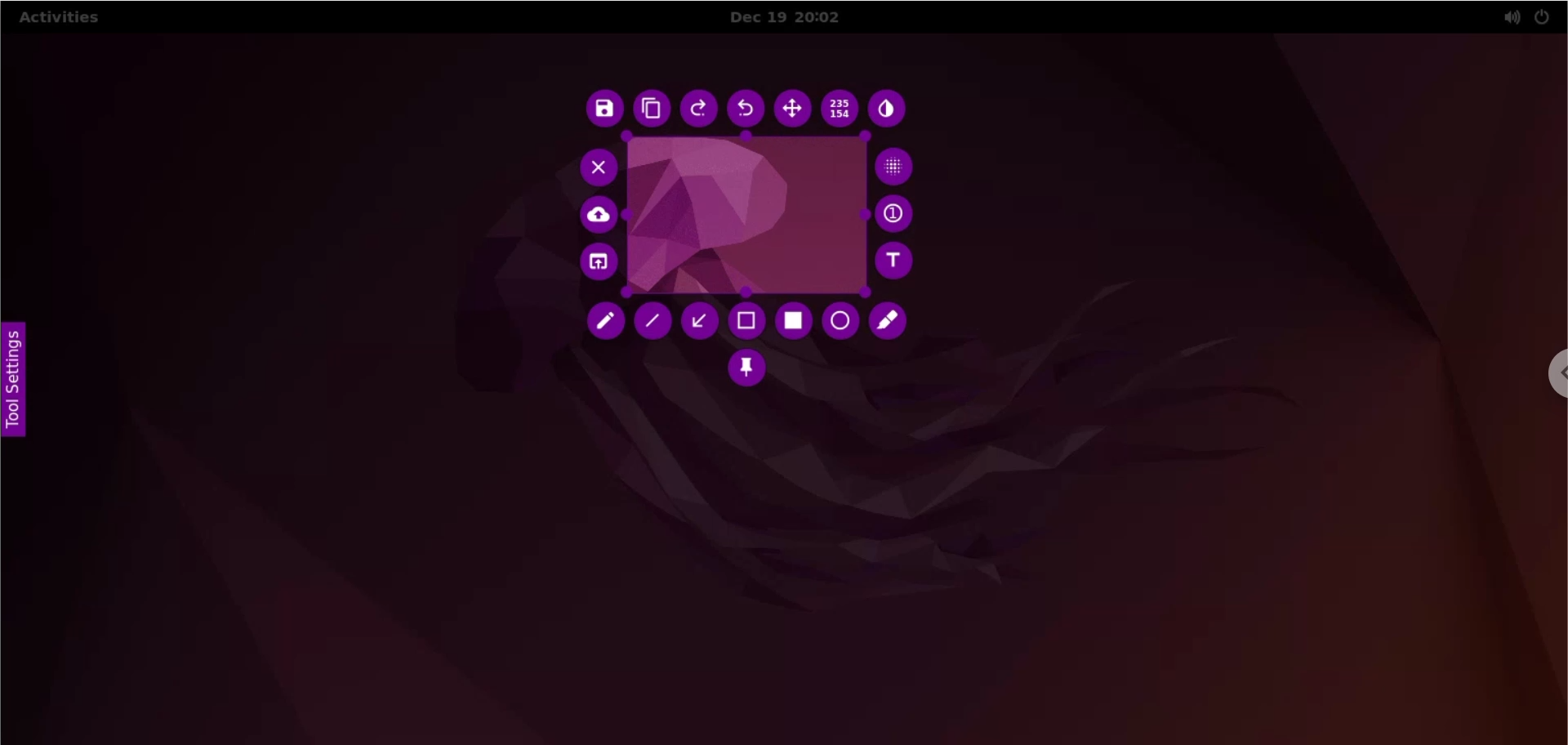  I want to click on arrow tool, so click(700, 320).